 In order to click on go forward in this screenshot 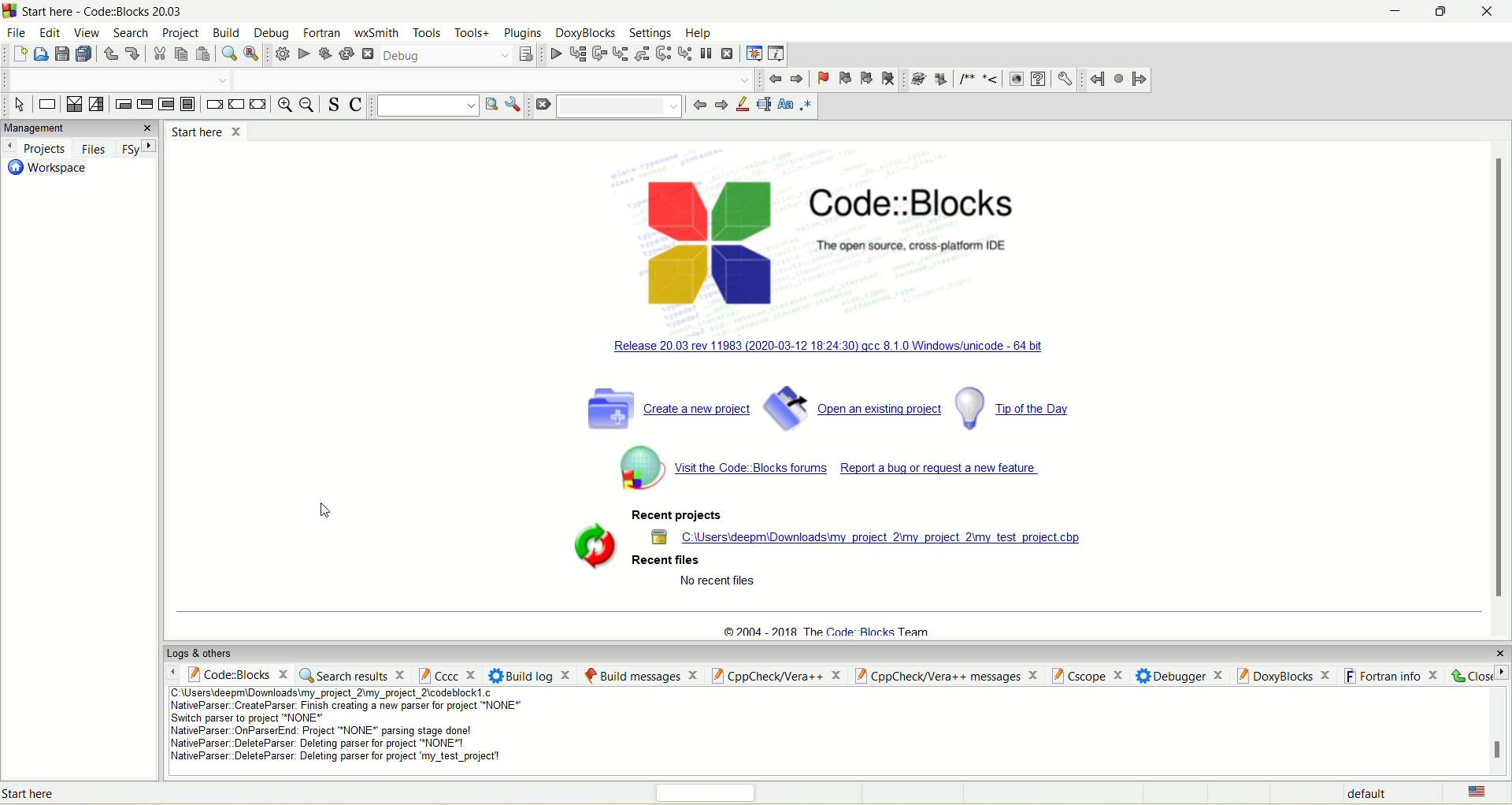, I will do `click(721, 103)`.